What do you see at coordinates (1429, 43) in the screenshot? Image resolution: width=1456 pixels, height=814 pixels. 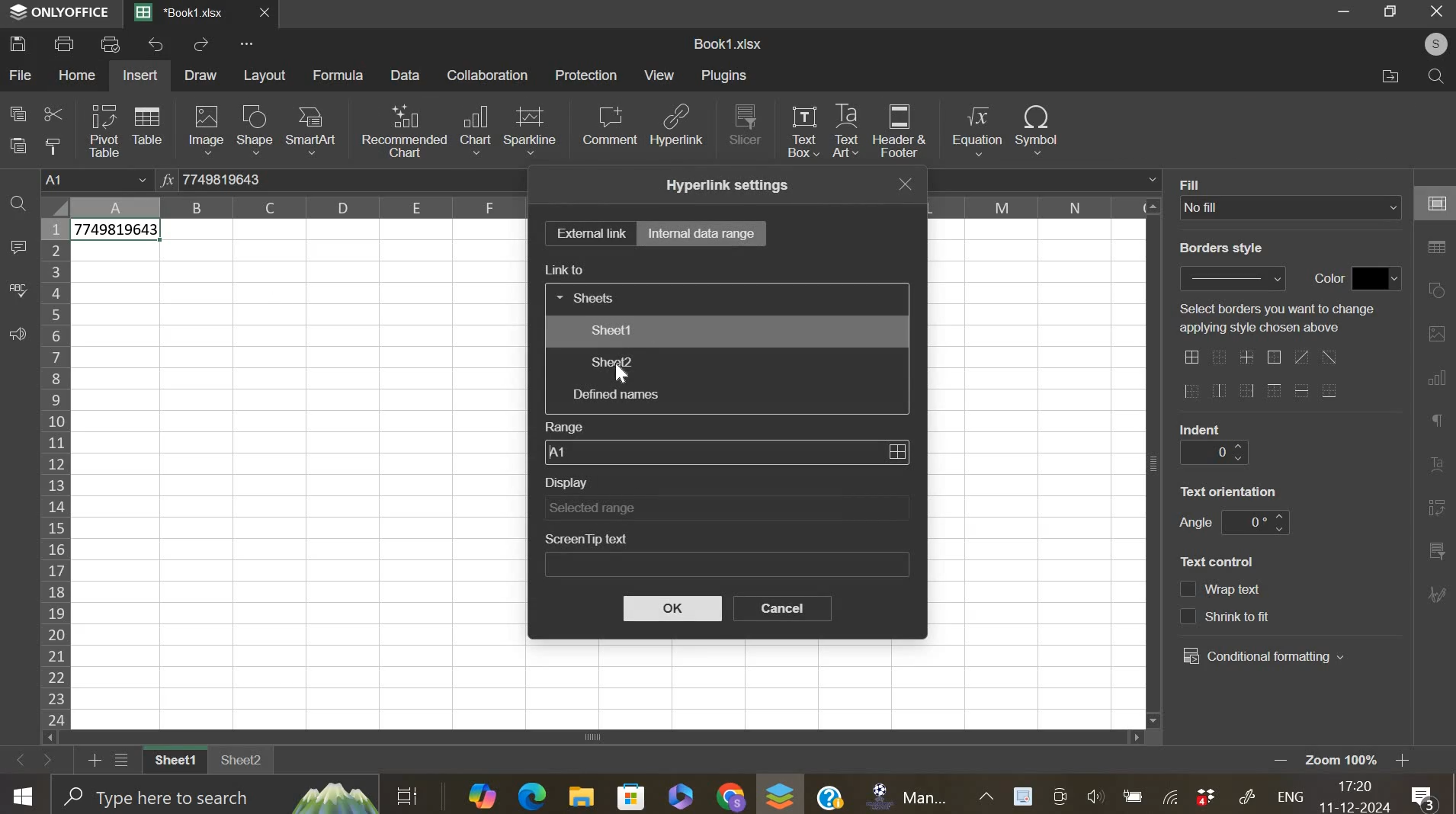 I see `user` at bounding box center [1429, 43].